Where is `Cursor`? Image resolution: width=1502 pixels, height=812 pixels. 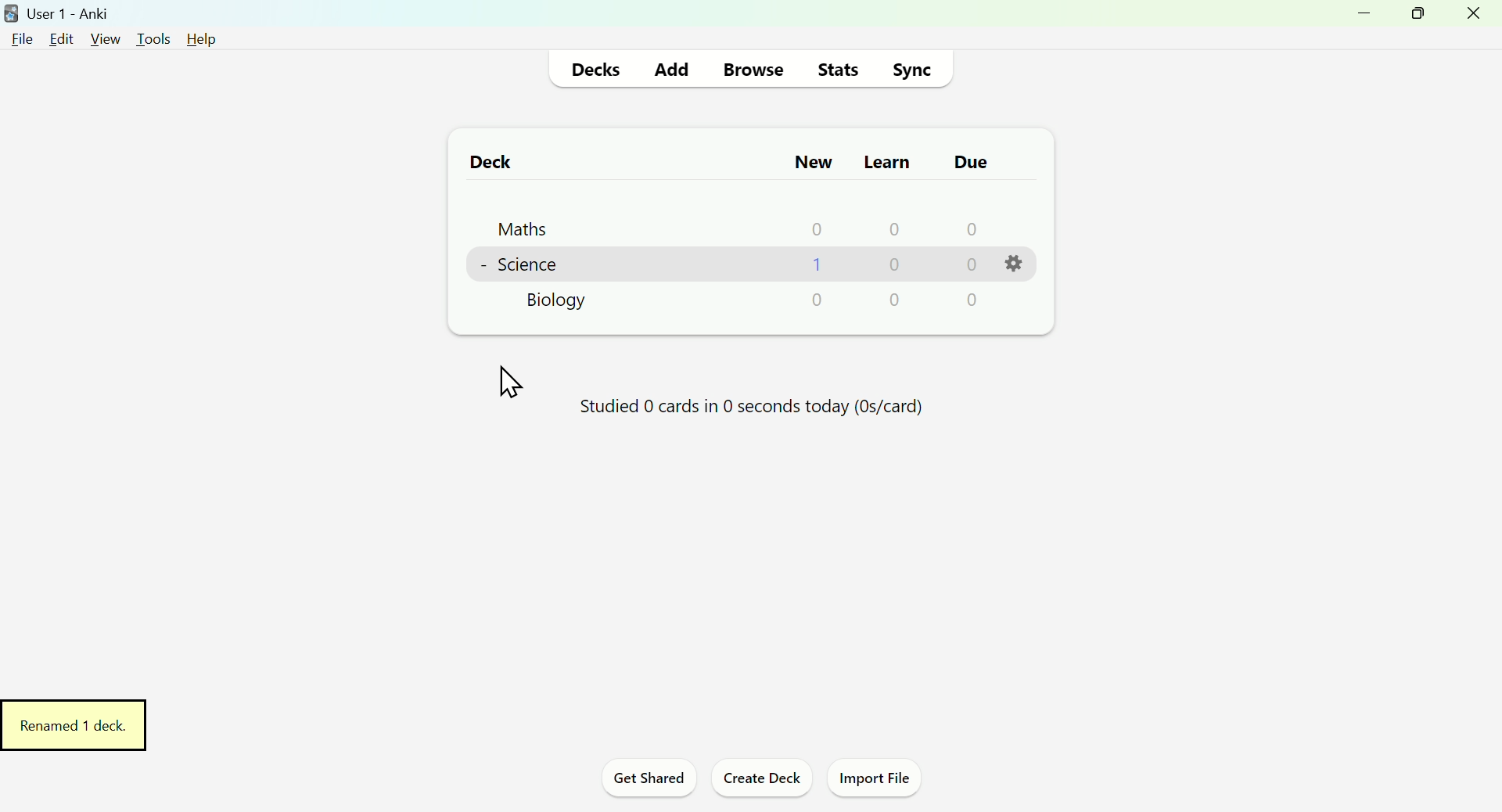 Cursor is located at coordinates (509, 384).